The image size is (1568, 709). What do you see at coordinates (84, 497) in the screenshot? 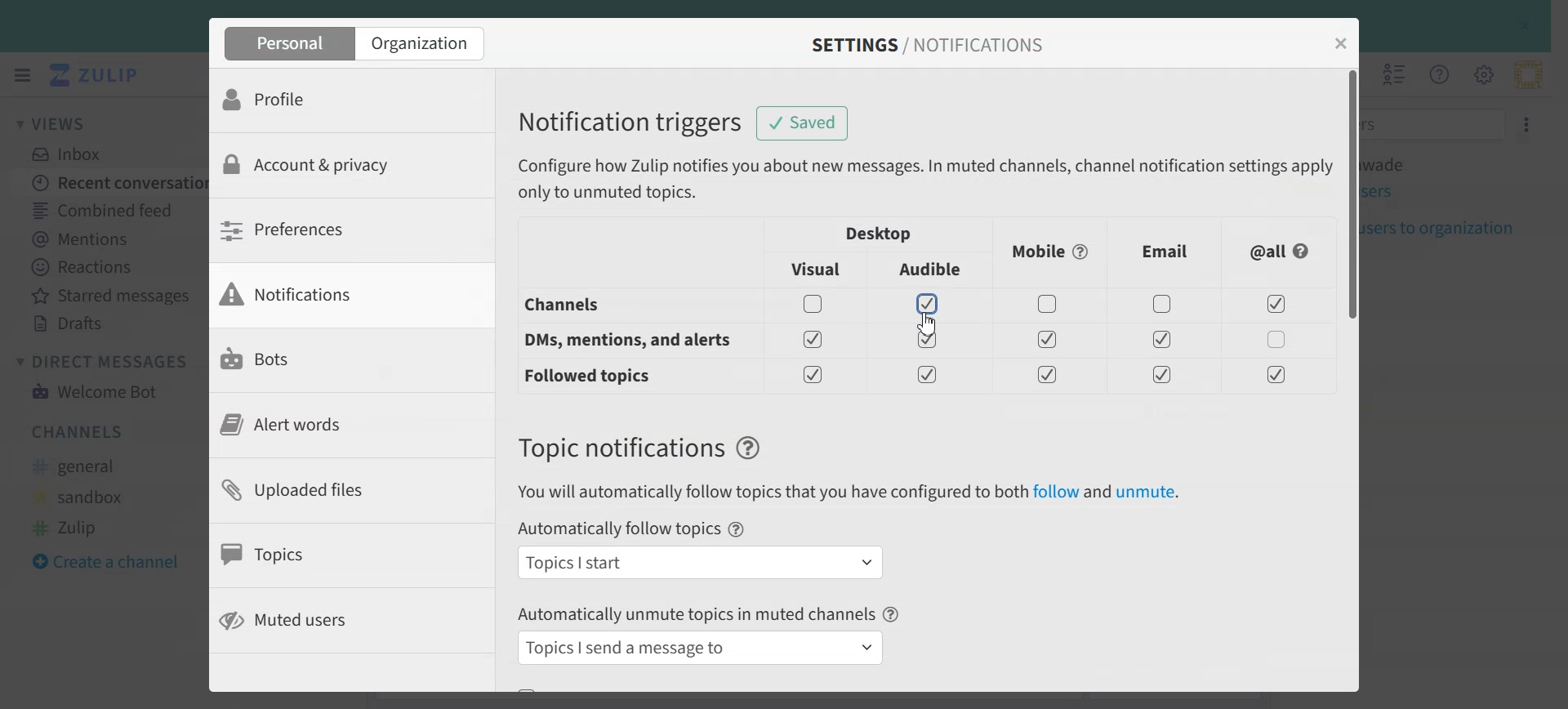
I see `#sandbox` at bounding box center [84, 497].